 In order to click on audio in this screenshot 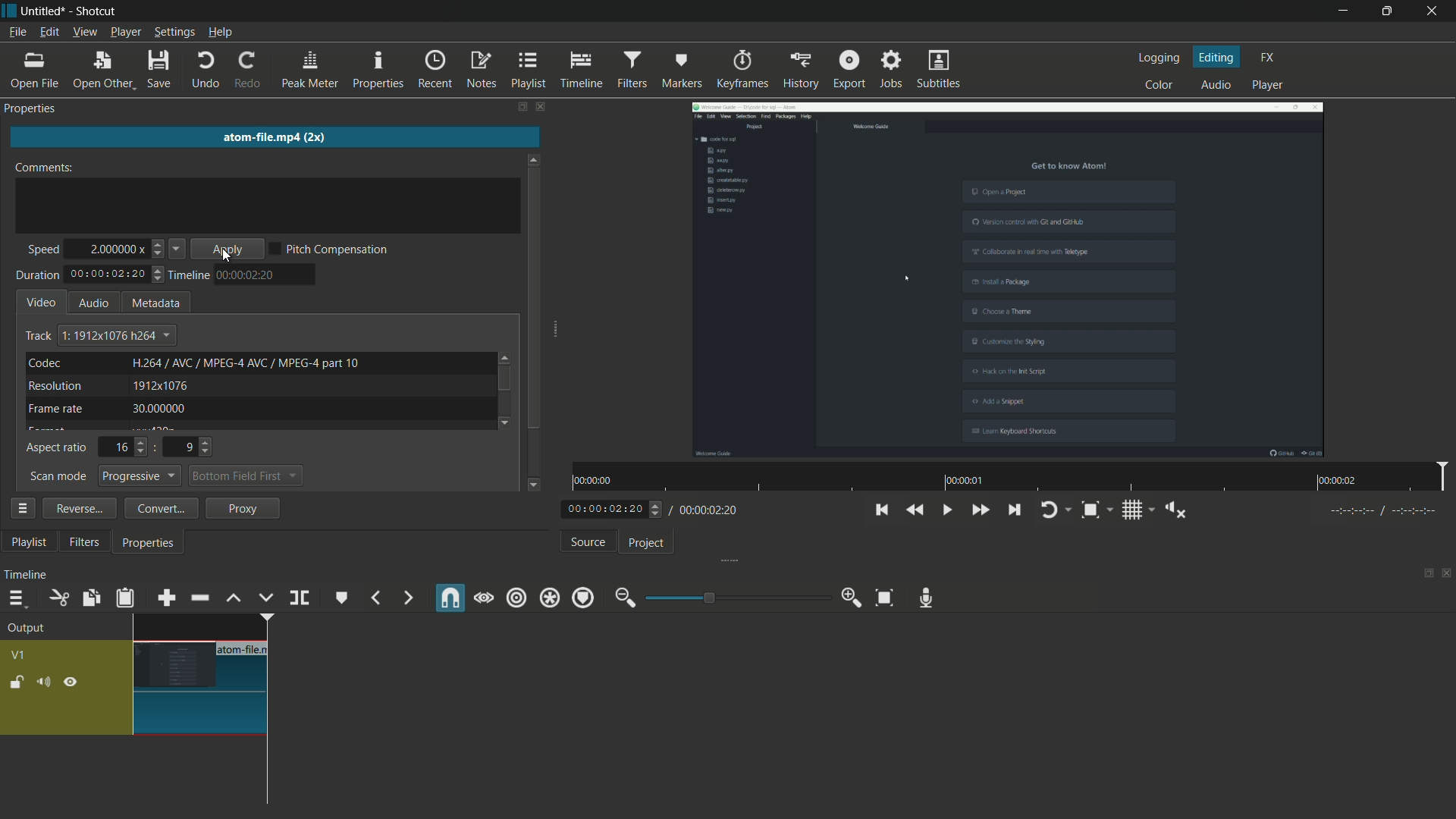, I will do `click(1217, 83)`.